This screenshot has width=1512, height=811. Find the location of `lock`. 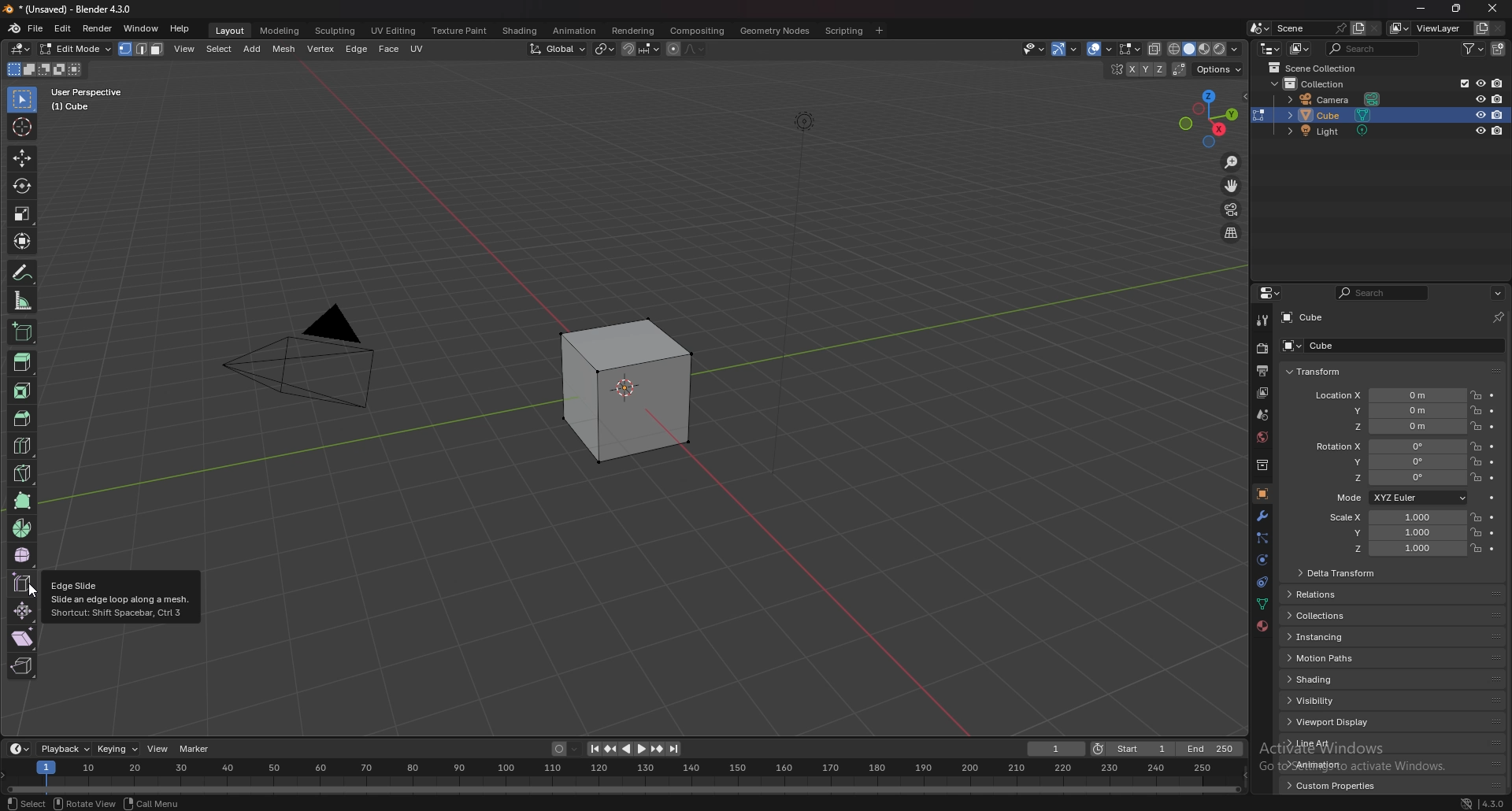

lock is located at coordinates (1475, 477).